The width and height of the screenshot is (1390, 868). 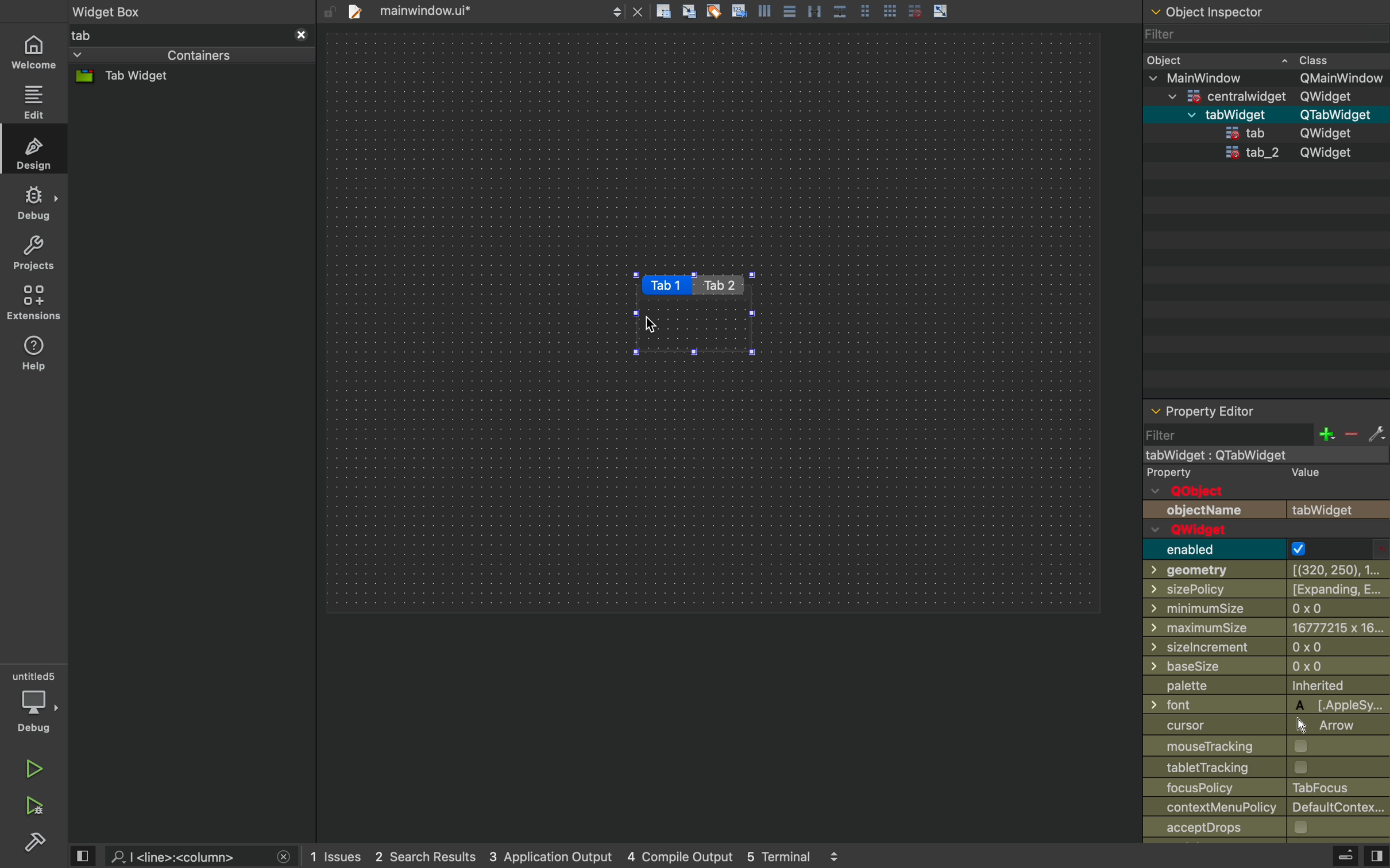 I want to click on object class, so click(x=1260, y=59).